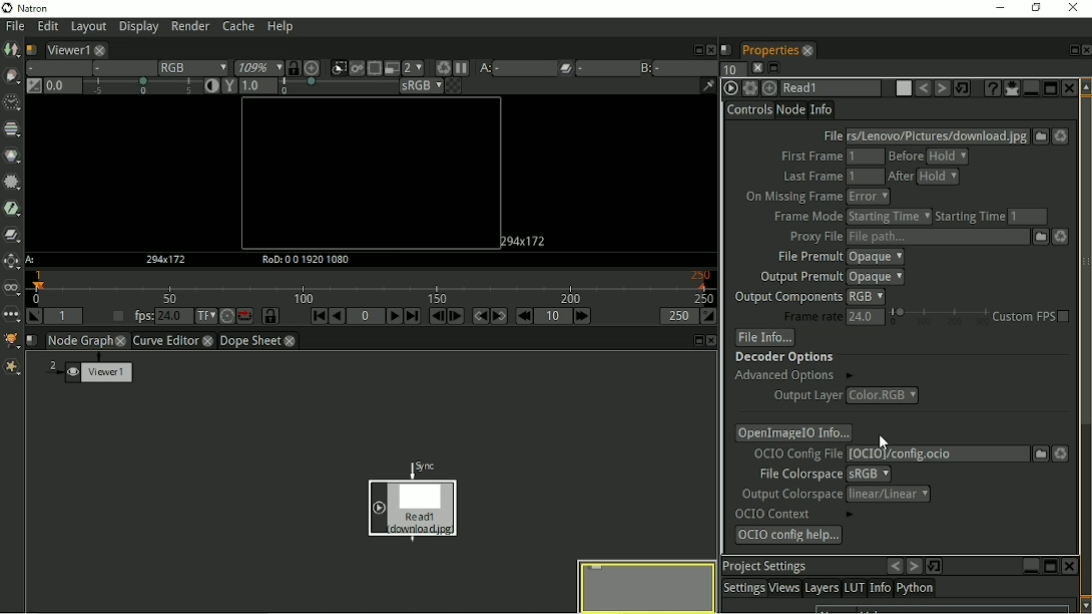  Describe the element at coordinates (31, 260) in the screenshot. I see `A` at that location.